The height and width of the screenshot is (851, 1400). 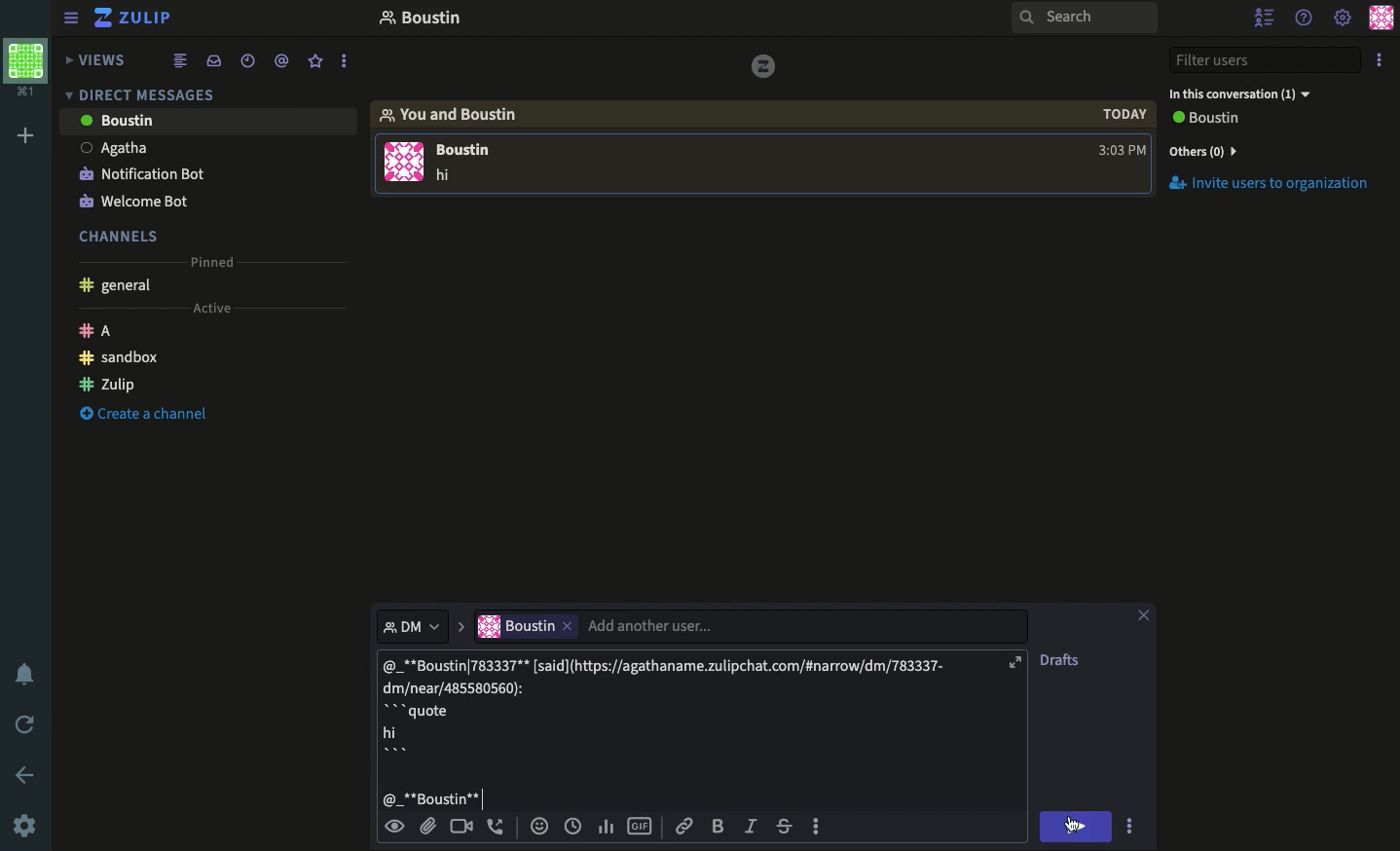 What do you see at coordinates (122, 357) in the screenshot?
I see `Sandbox` at bounding box center [122, 357].